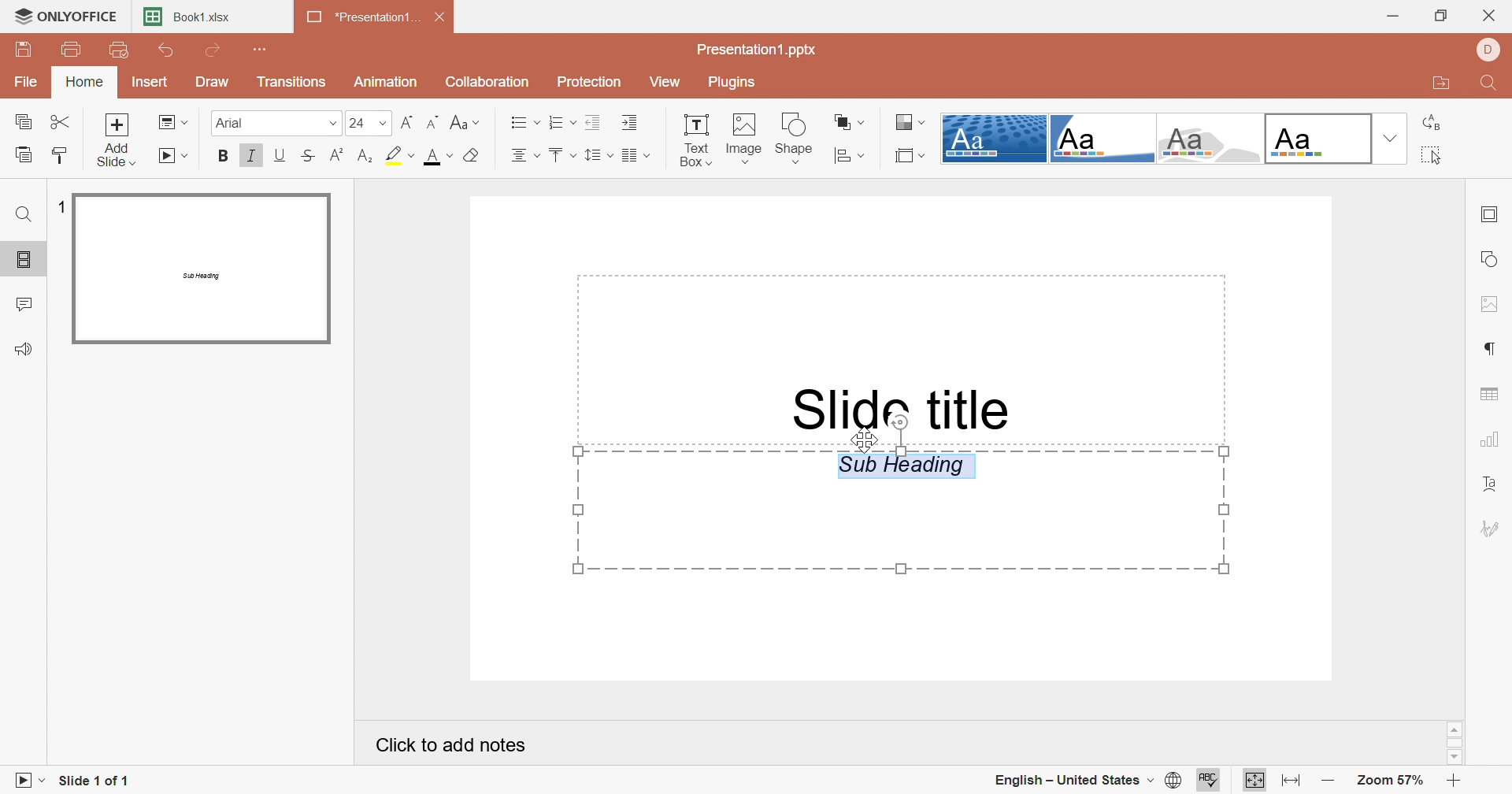 This screenshot has height=794, width=1512. What do you see at coordinates (1392, 781) in the screenshot?
I see `Zoom 57%` at bounding box center [1392, 781].